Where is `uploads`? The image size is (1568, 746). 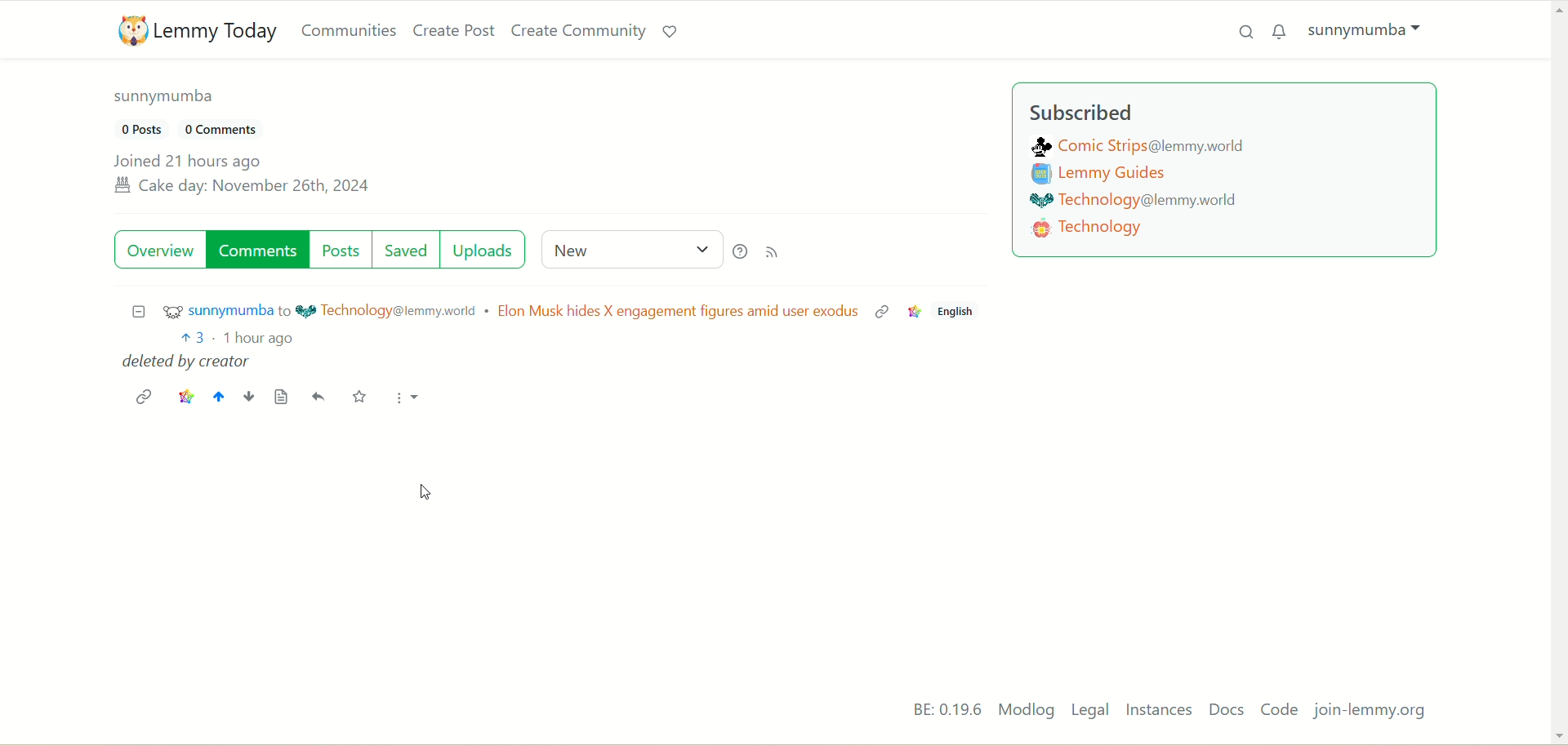
uploads is located at coordinates (488, 250).